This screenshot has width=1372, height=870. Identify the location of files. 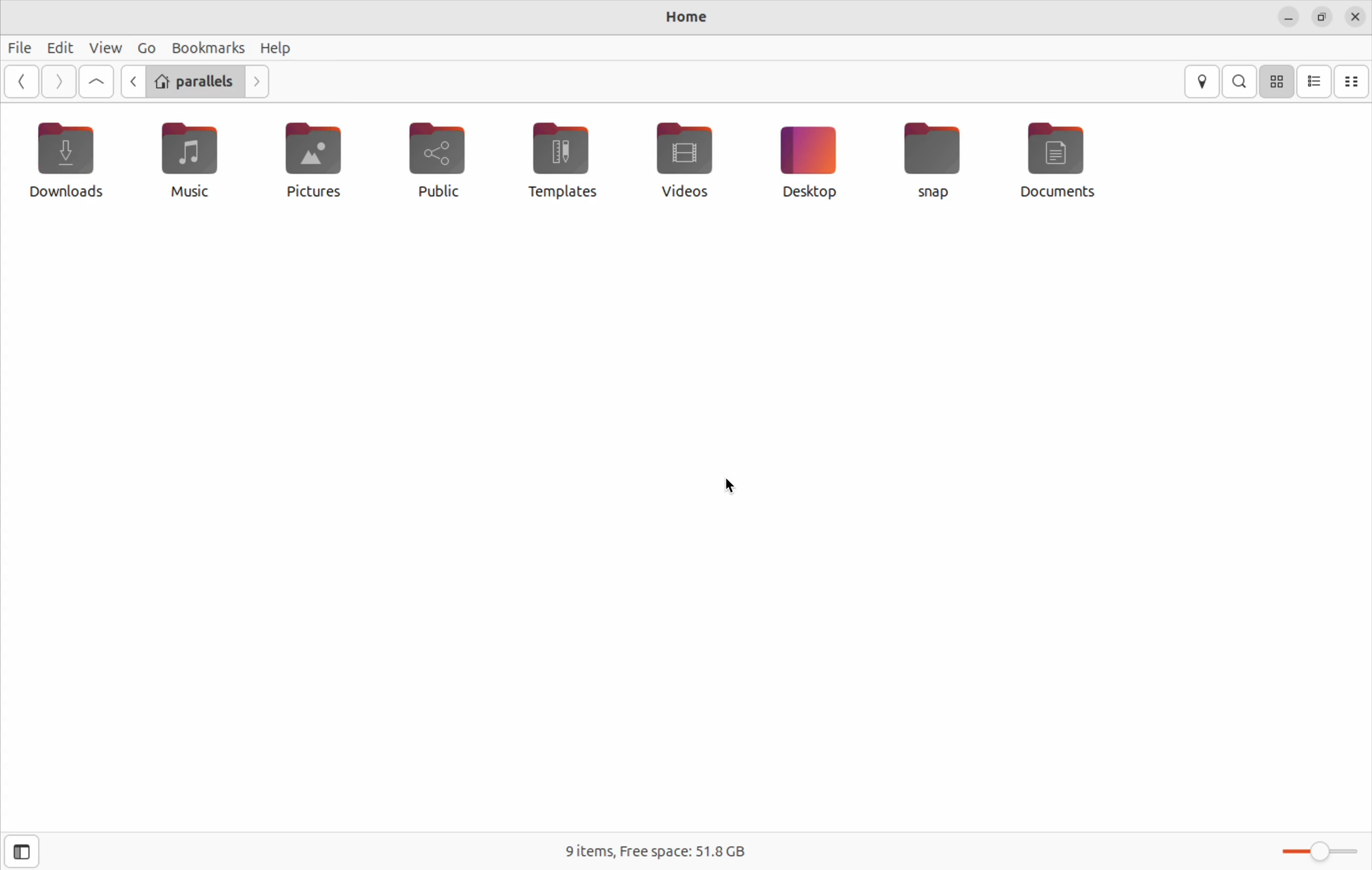
(20, 44).